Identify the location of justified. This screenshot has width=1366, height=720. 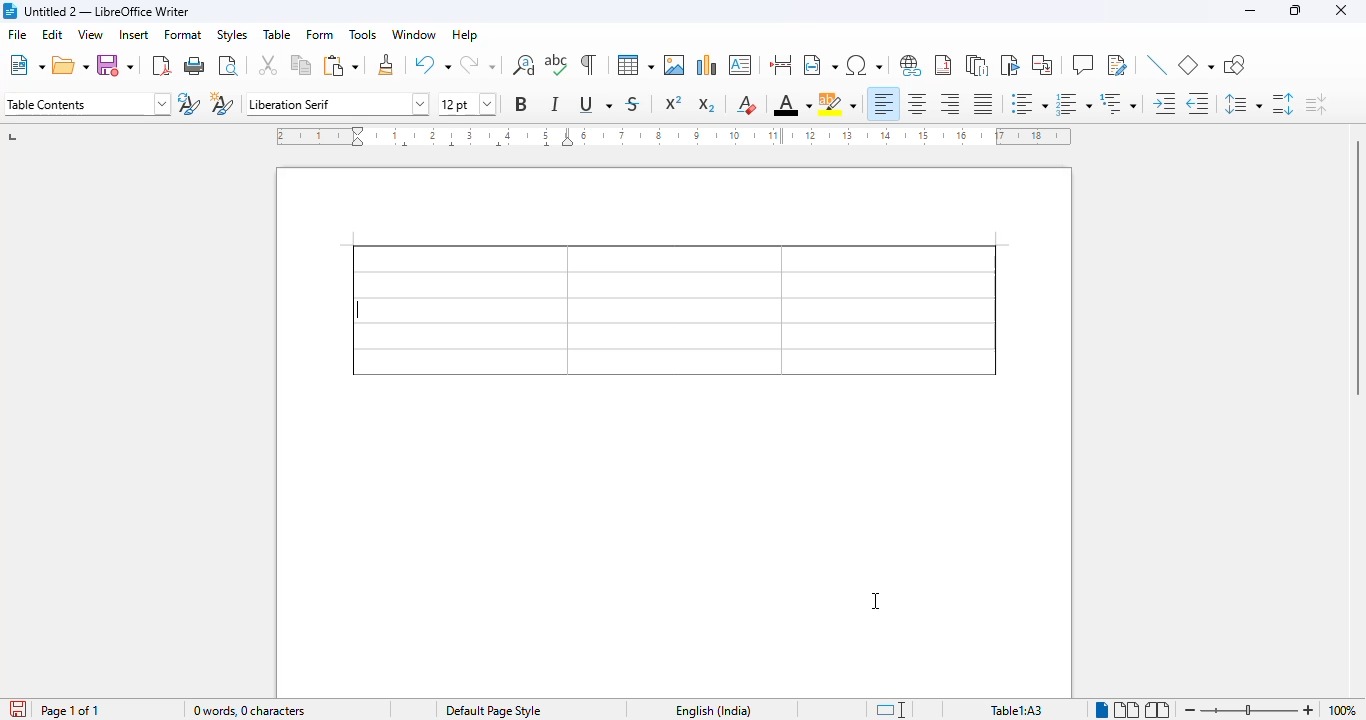
(984, 104).